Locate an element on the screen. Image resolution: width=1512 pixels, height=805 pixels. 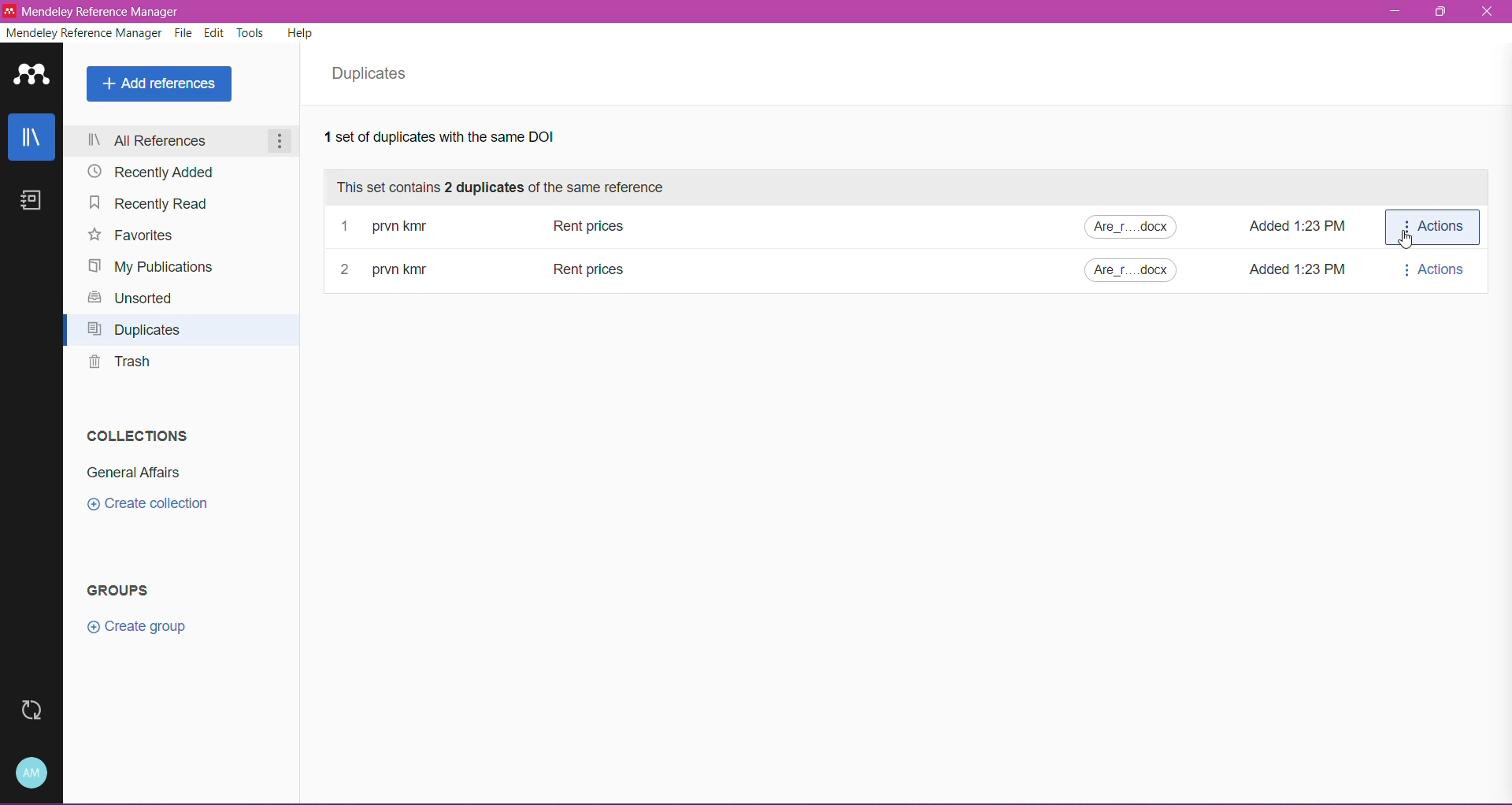
actions is located at coordinates (1433, 269).